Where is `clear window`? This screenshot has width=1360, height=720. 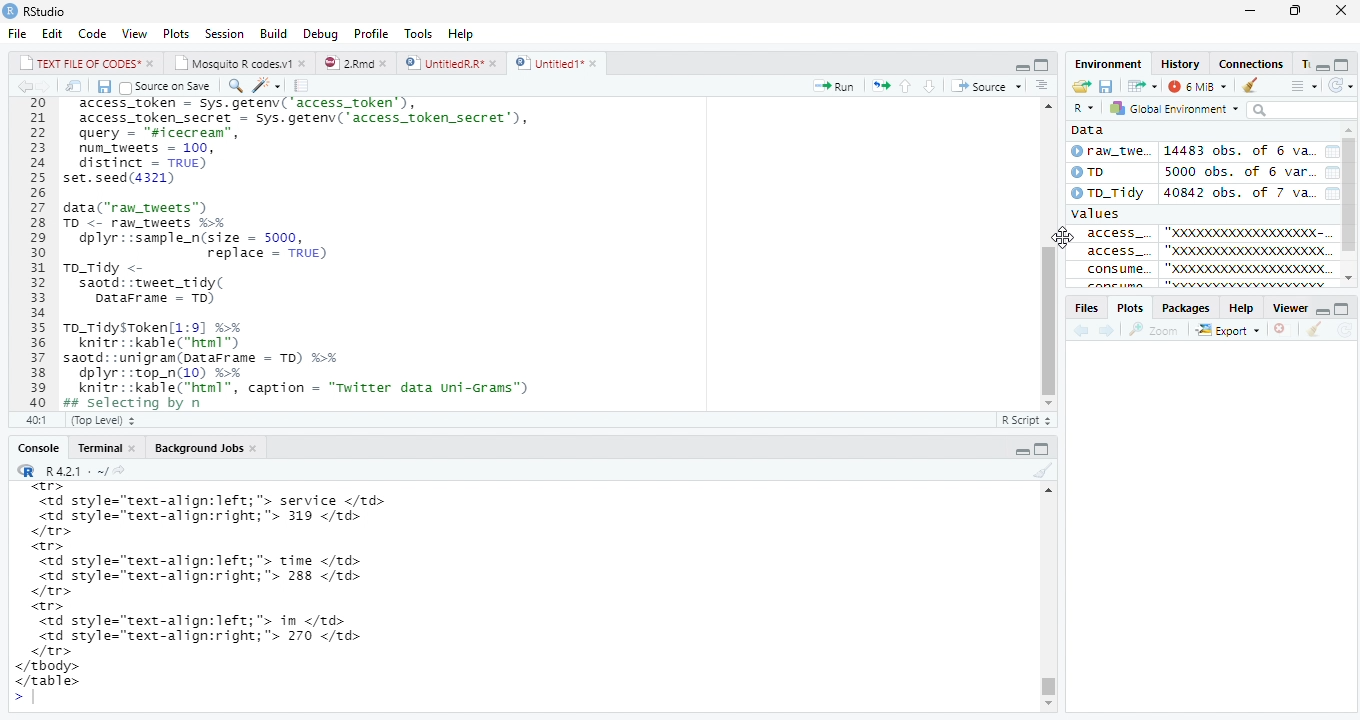 clear window is located at coordinates (1255, 86).